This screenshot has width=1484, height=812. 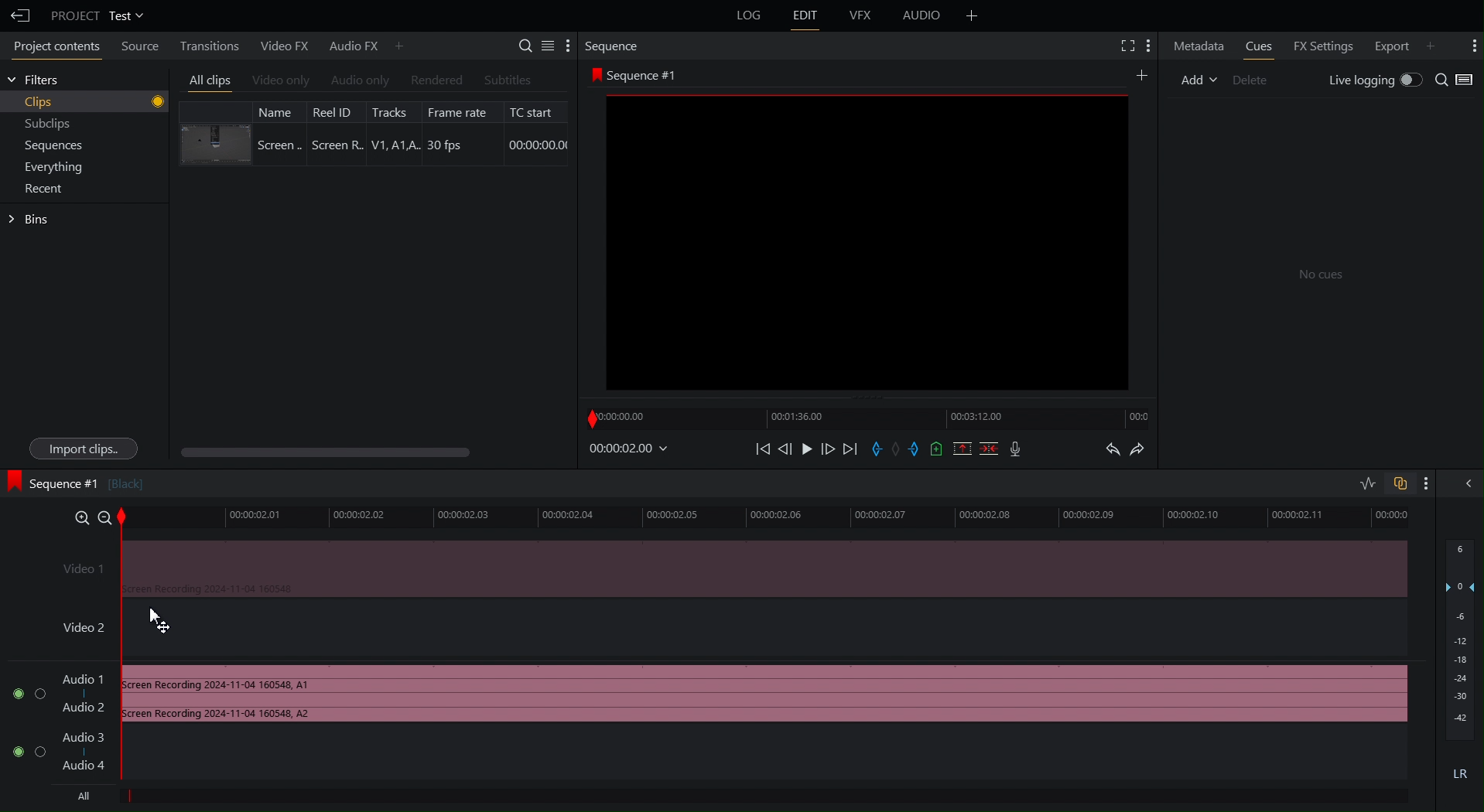 What do you see at coordinates (373, 132) in the screenshot?
I see `Clip` at bounding box center [373, 132].